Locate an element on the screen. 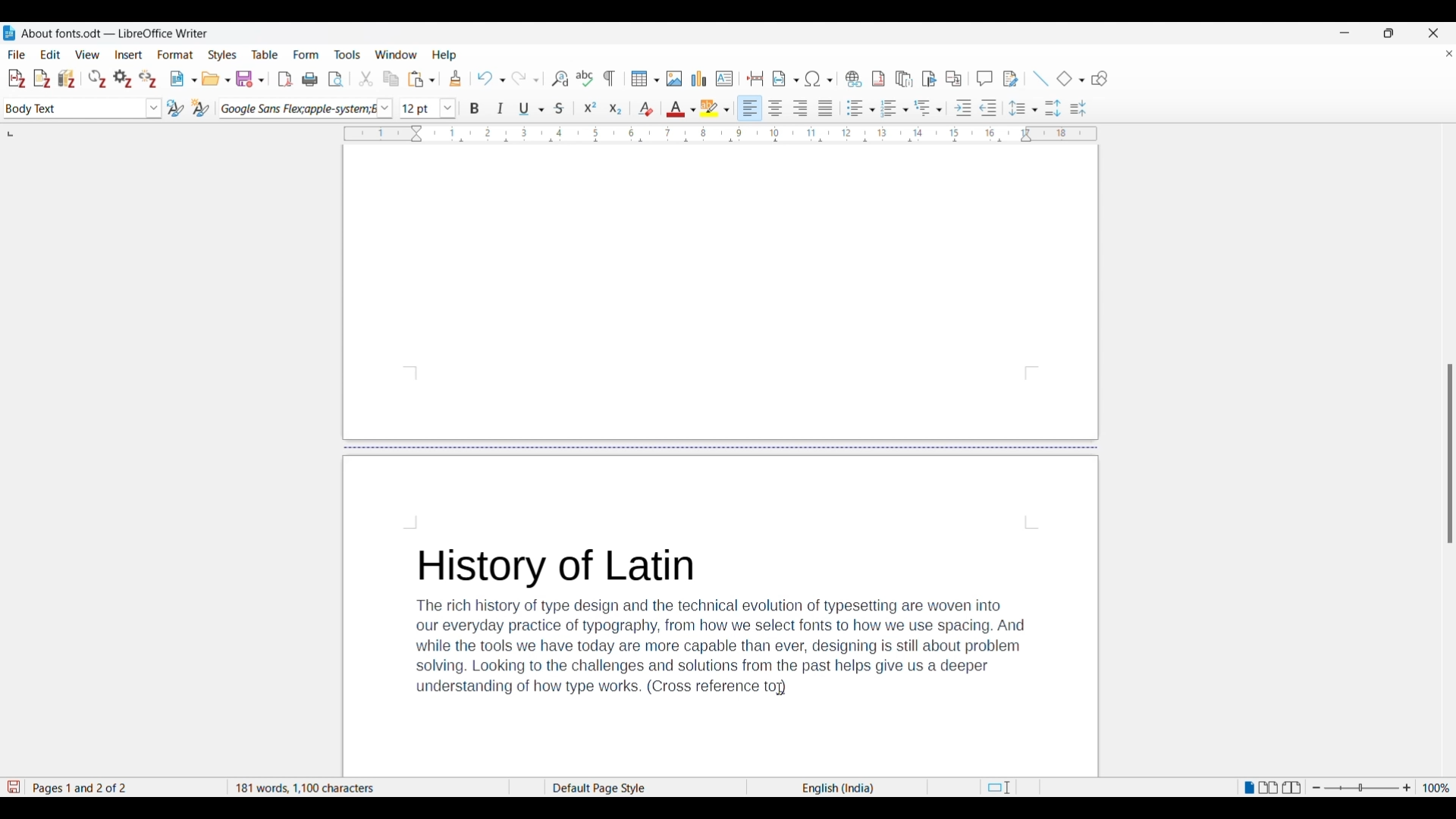  View menu is located at coordinates (87, 55).